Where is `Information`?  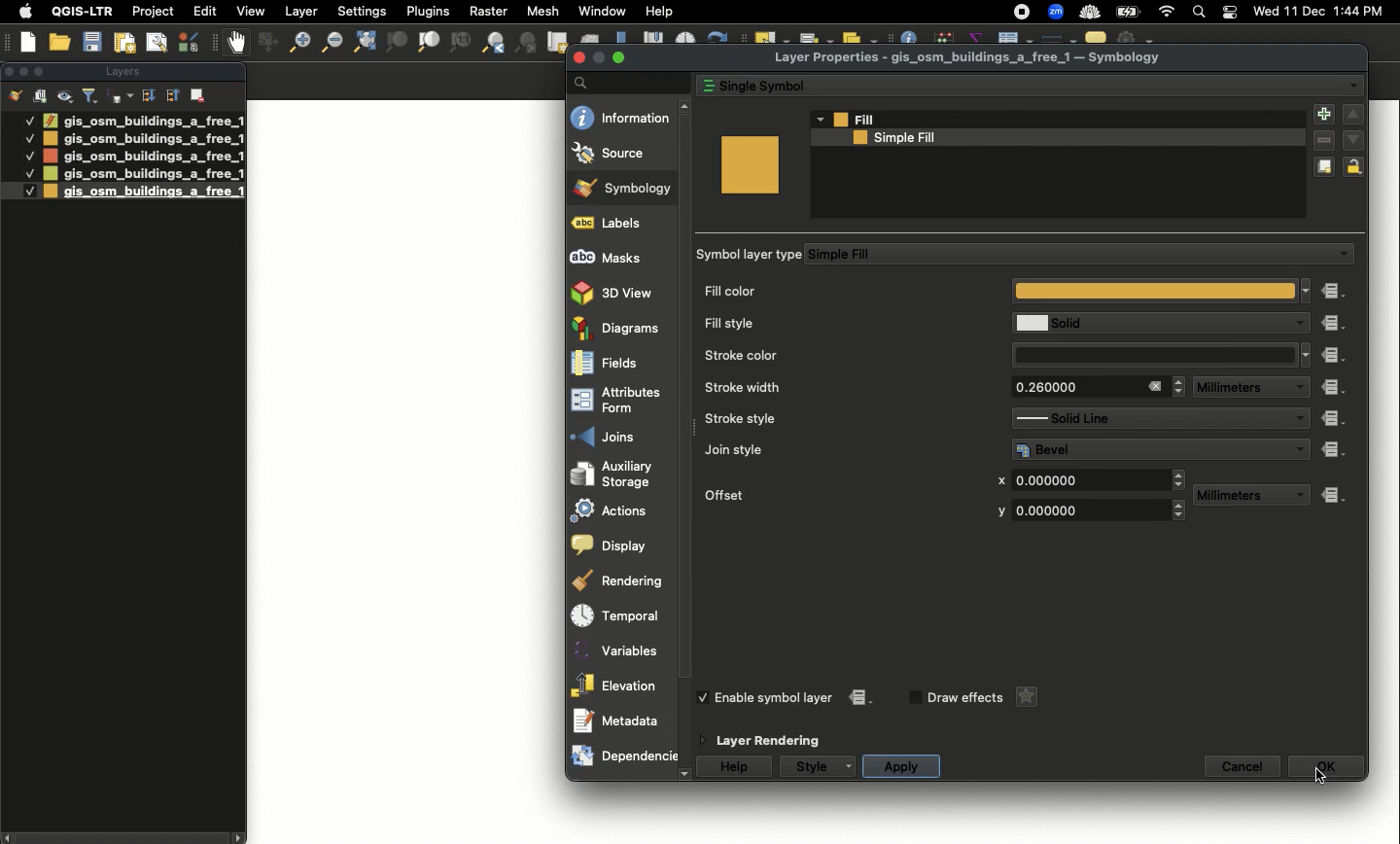 Information is located at coordinates (621, 117).